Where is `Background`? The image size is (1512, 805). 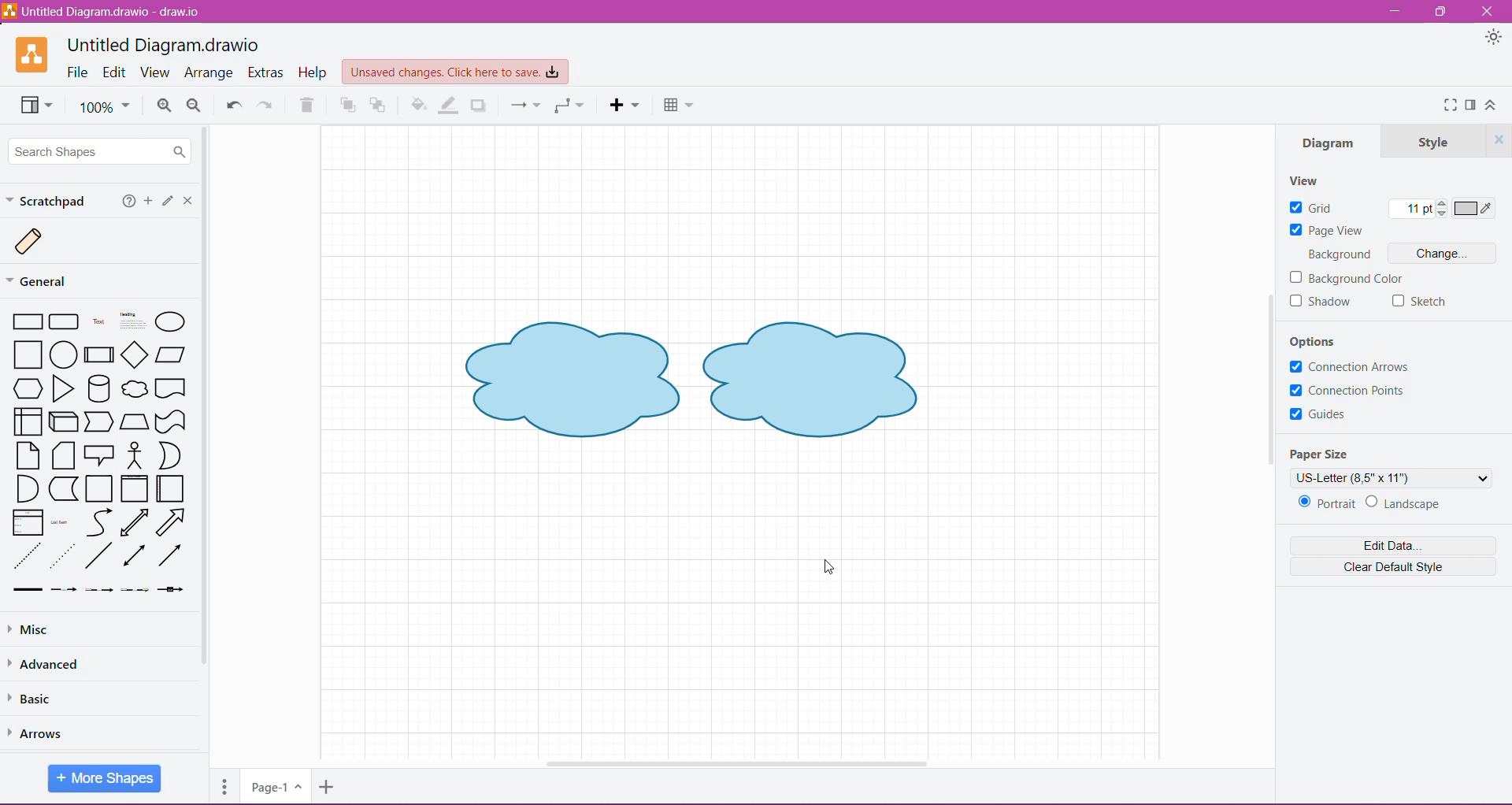 Background is located at coordinates (1339, 255).